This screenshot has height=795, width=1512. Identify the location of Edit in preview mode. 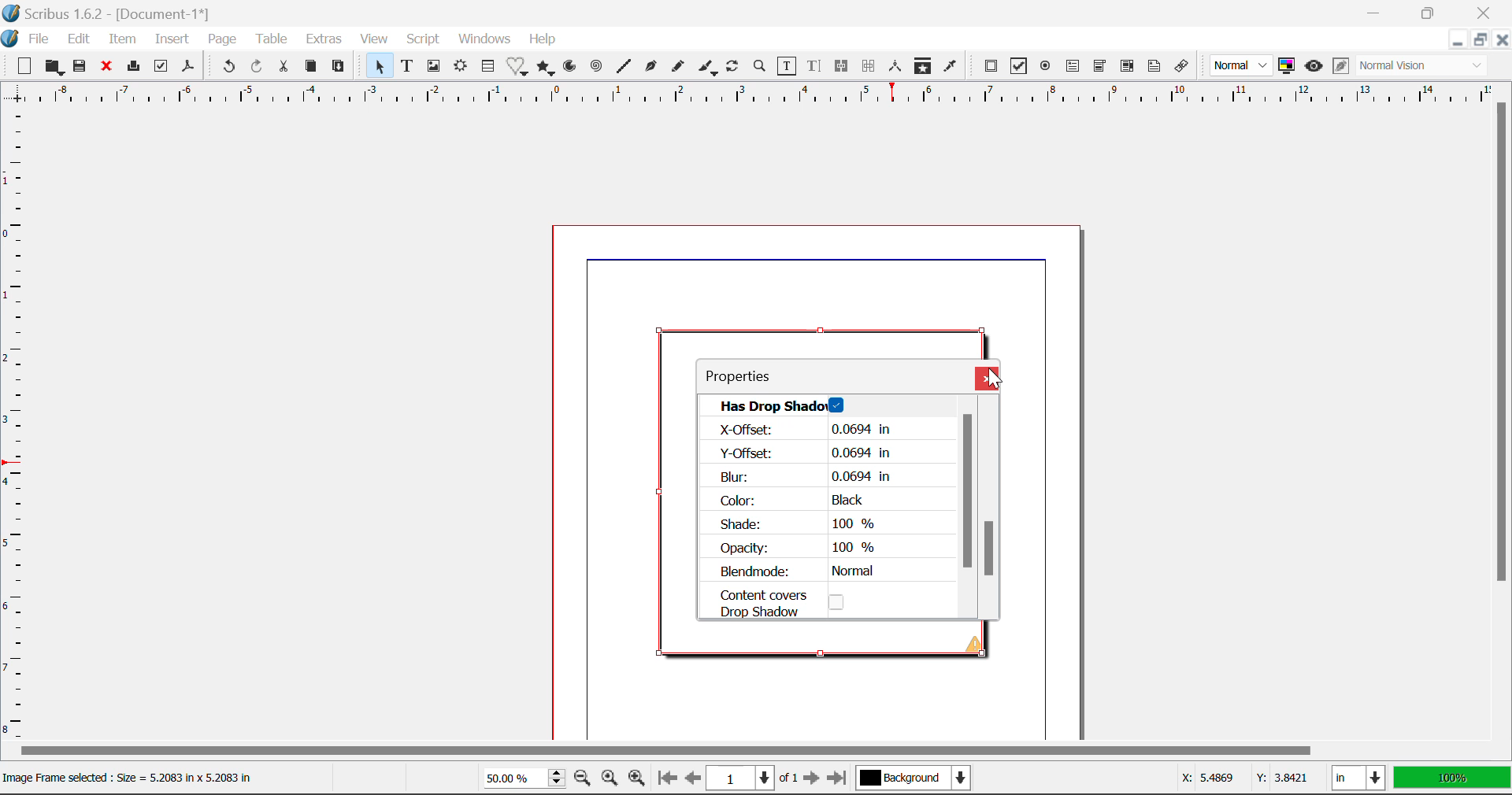
(1341, 68).